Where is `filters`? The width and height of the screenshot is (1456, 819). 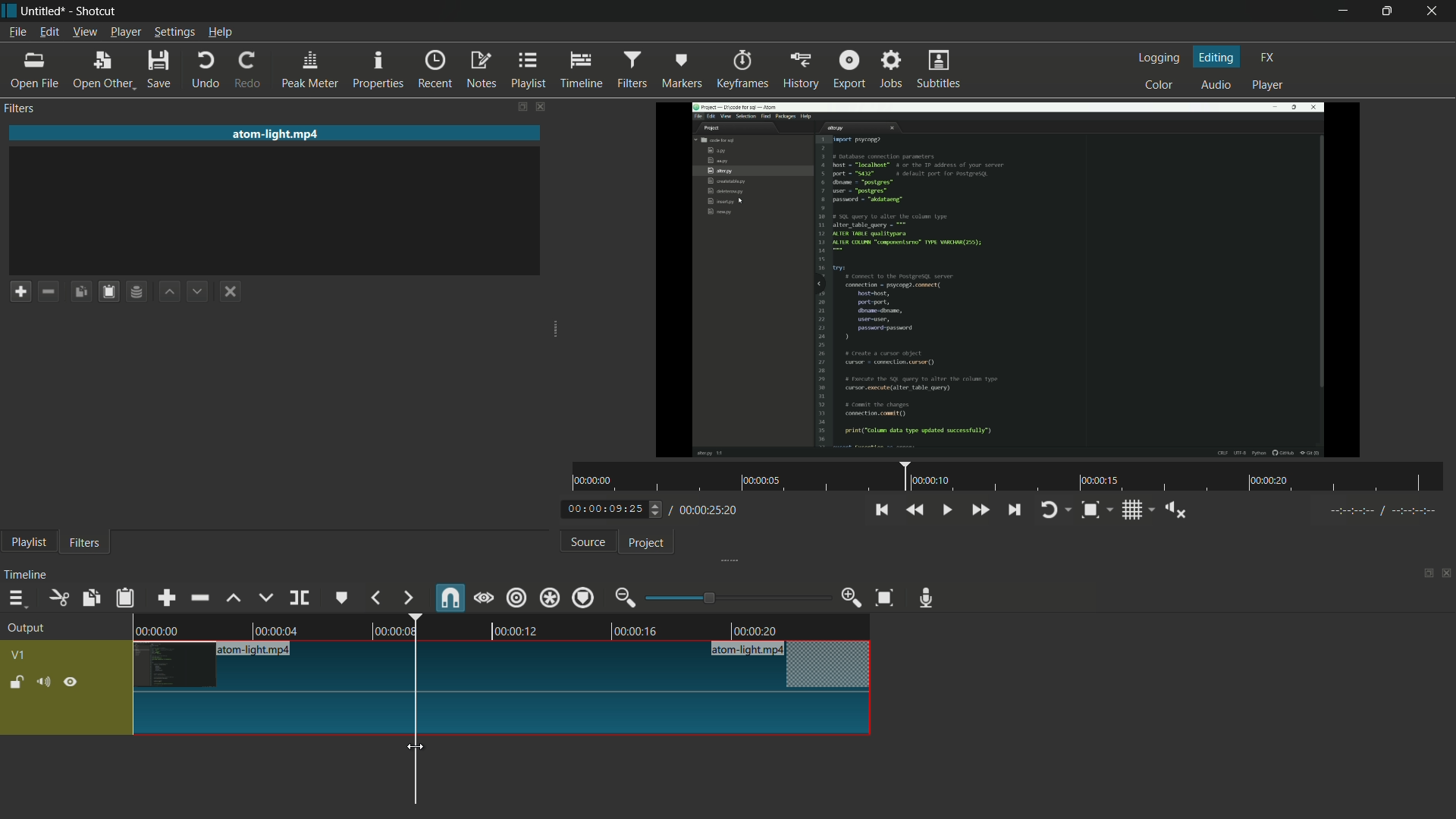
filters is located at coordinates (22, 109).